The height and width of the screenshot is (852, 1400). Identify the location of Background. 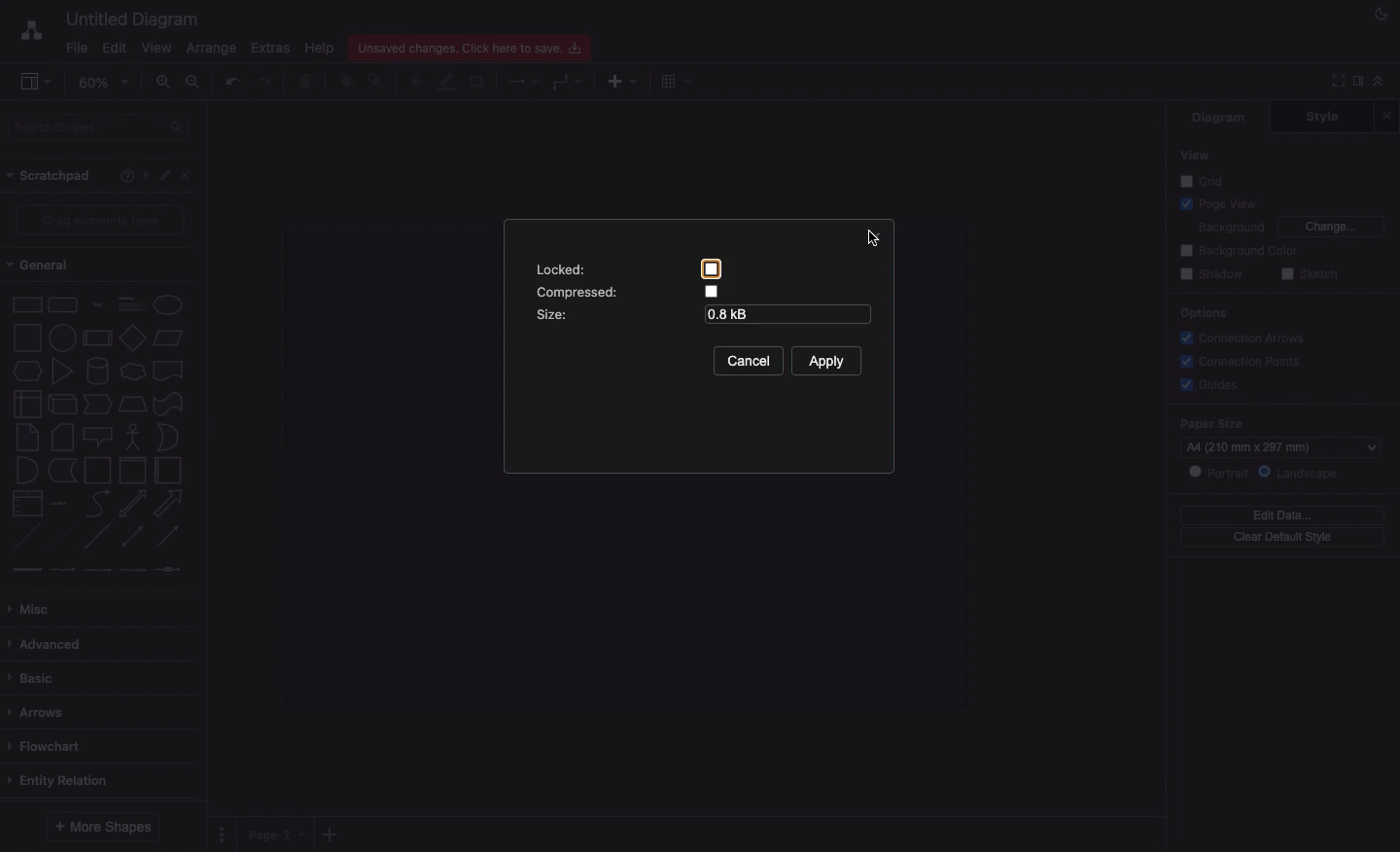
(1230, 226).